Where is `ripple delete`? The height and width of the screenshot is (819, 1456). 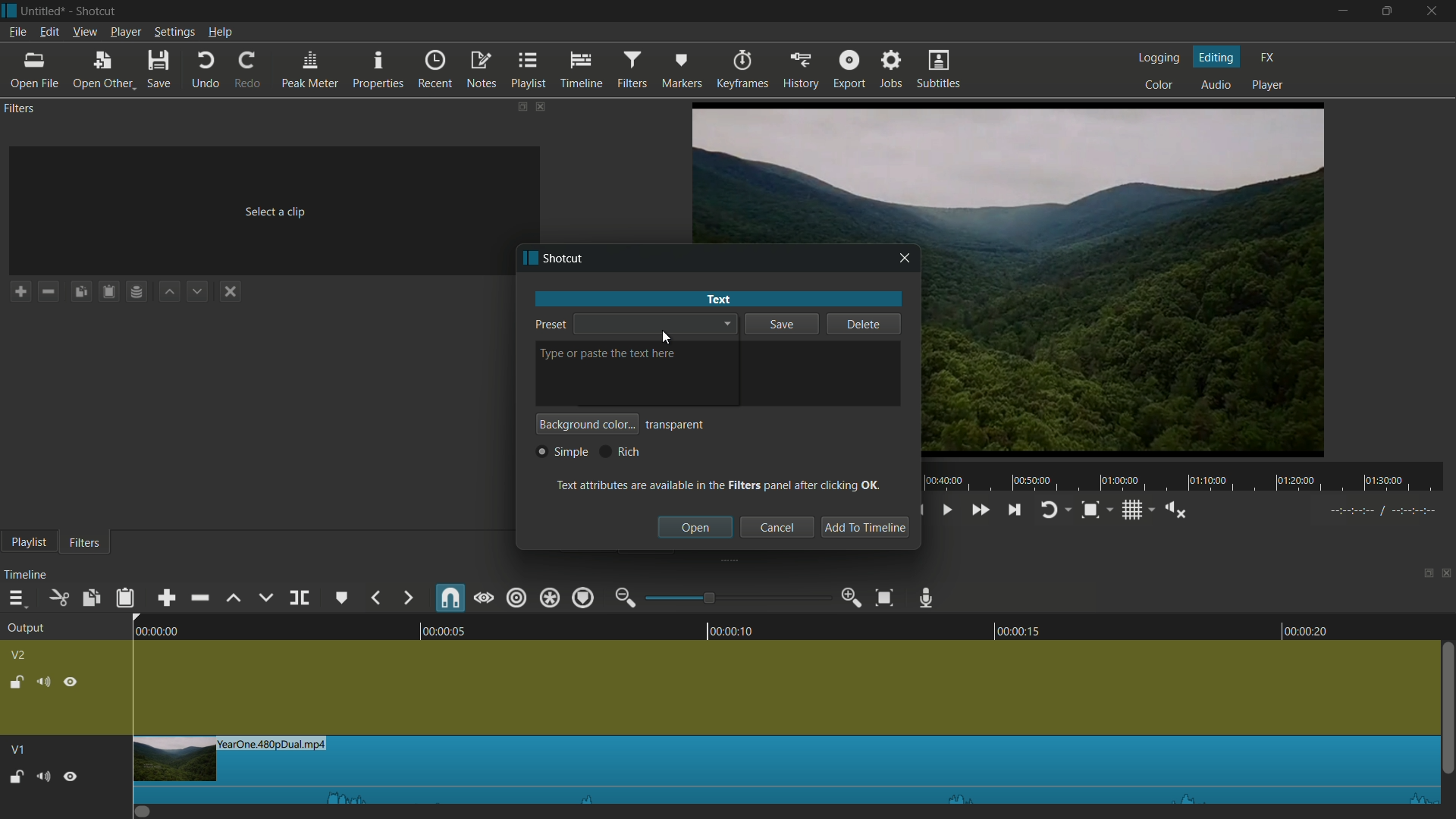
ripple delete is located at coordinates (197, 598).